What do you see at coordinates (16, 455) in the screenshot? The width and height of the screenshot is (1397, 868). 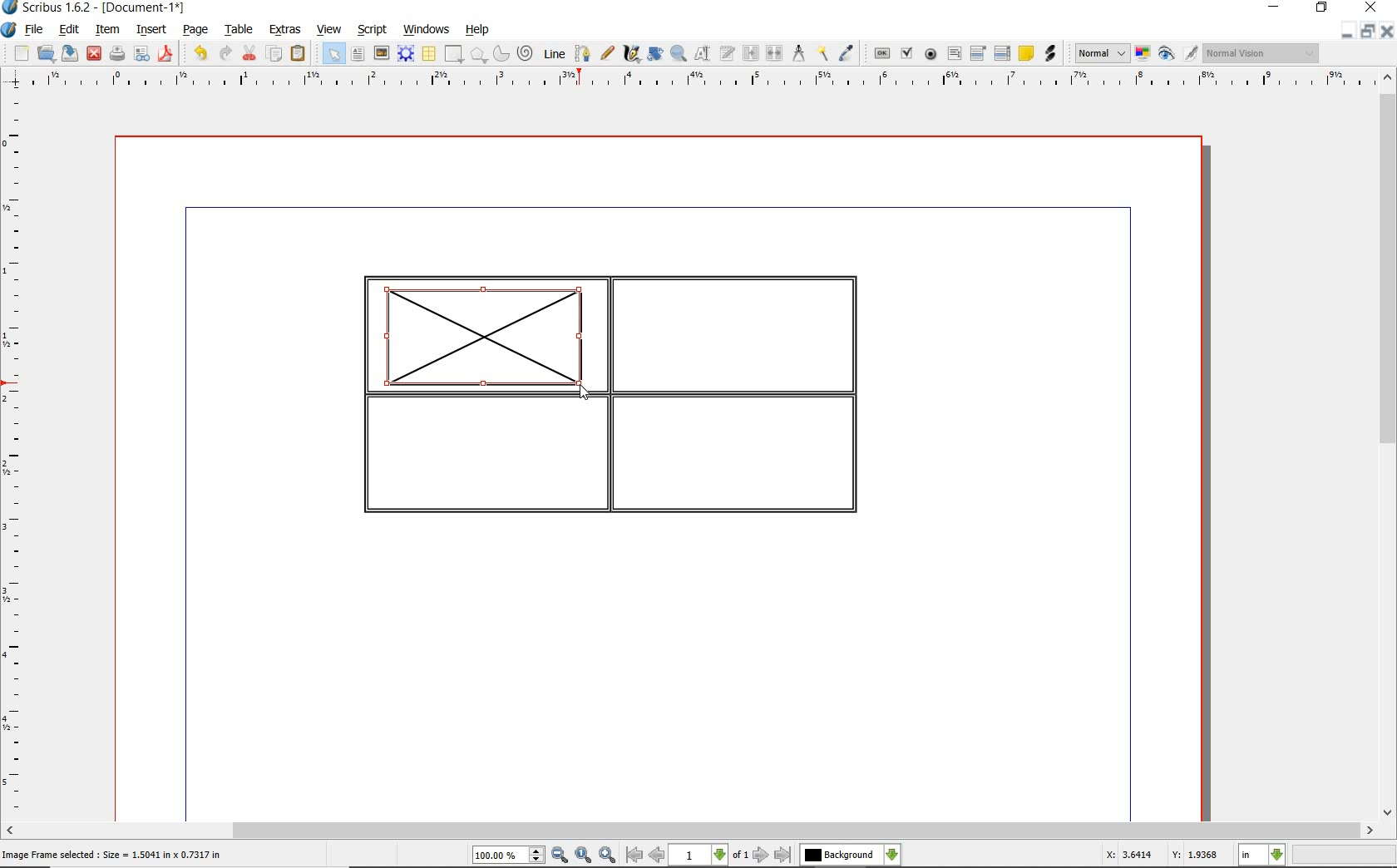 I see `ruler` at bounding box center [16, 455].